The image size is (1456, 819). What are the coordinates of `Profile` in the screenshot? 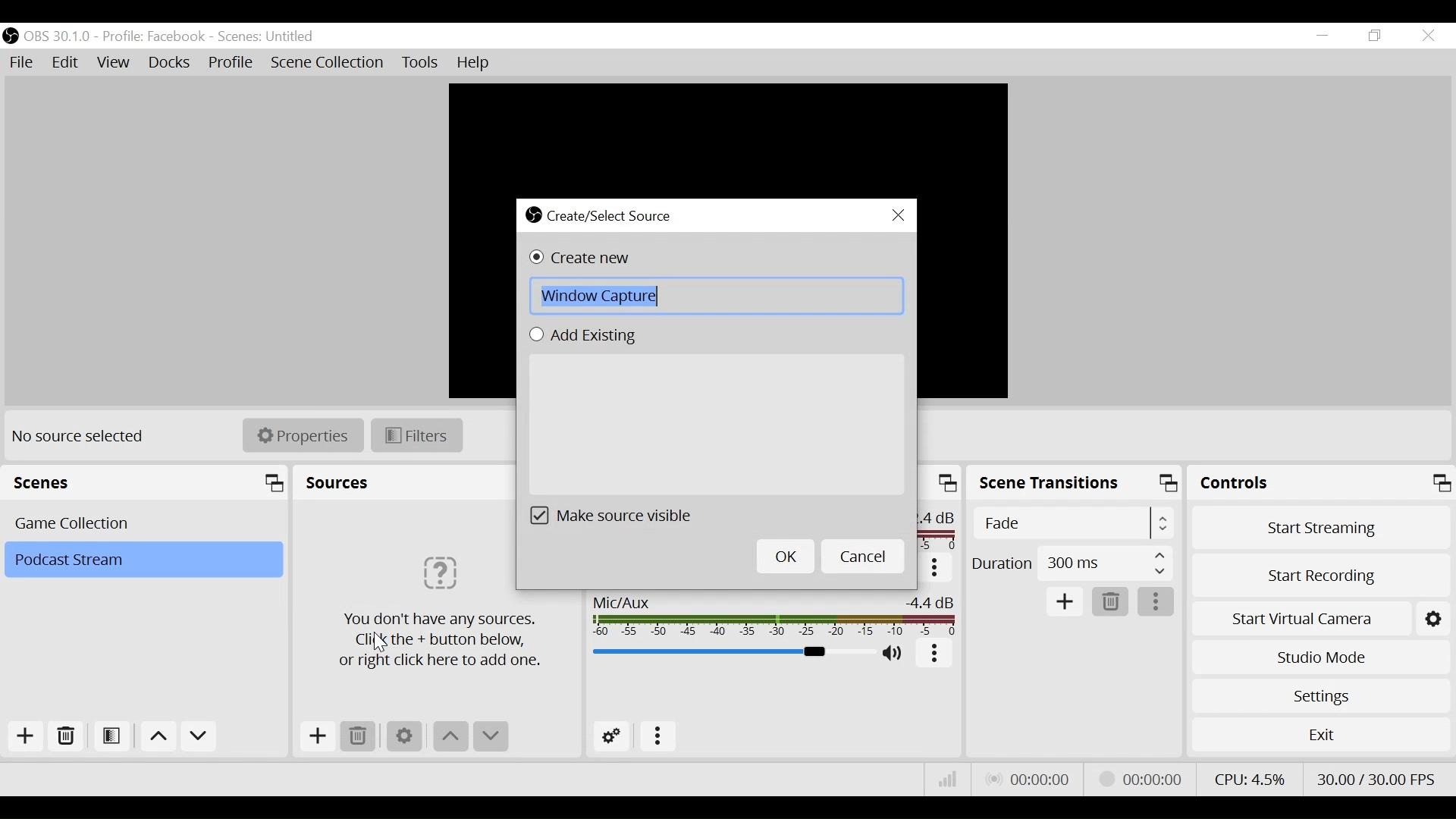 It's located at (231, 63).